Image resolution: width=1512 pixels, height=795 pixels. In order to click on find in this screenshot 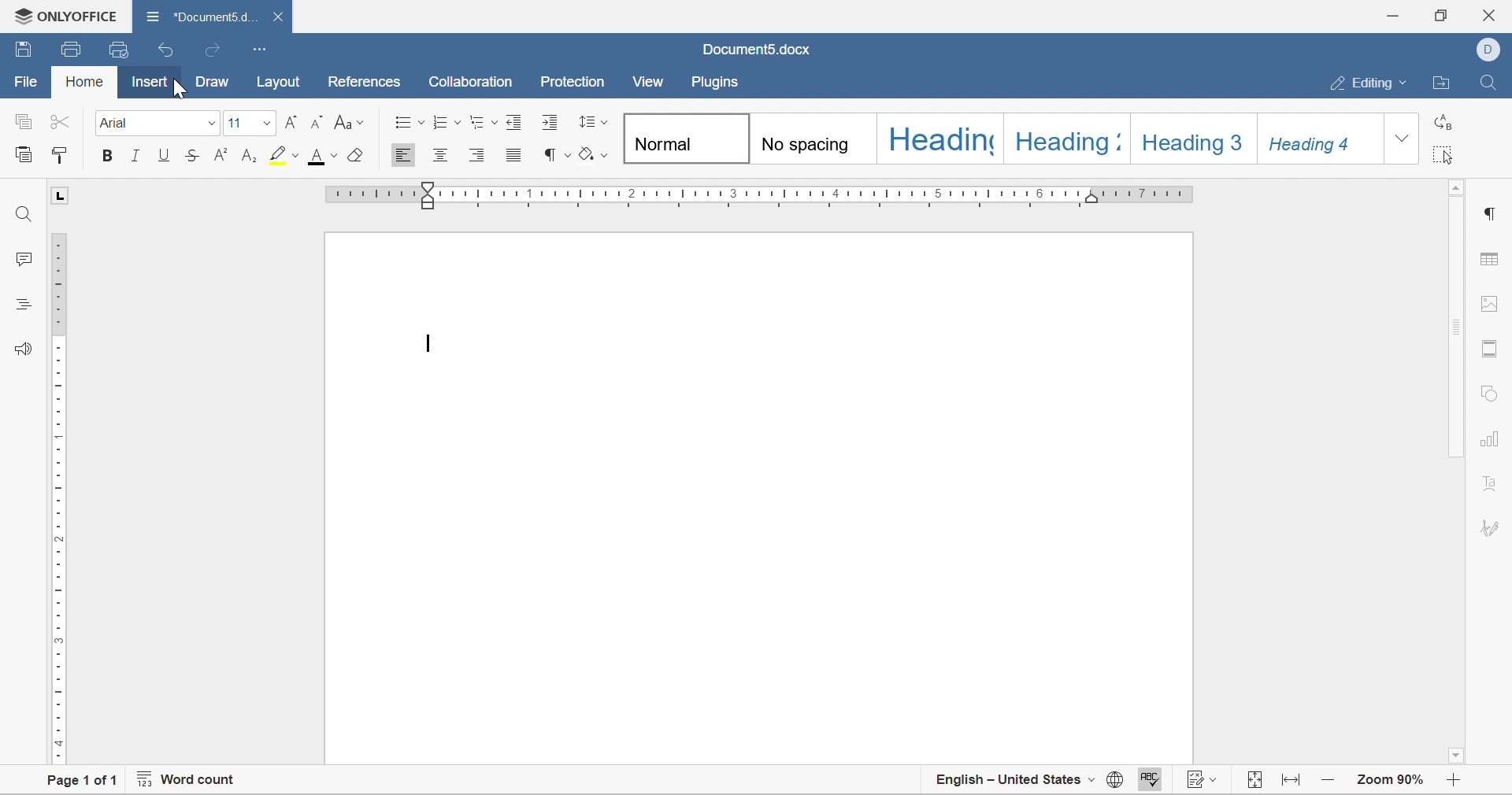, I will do `click(1488, 81)`.